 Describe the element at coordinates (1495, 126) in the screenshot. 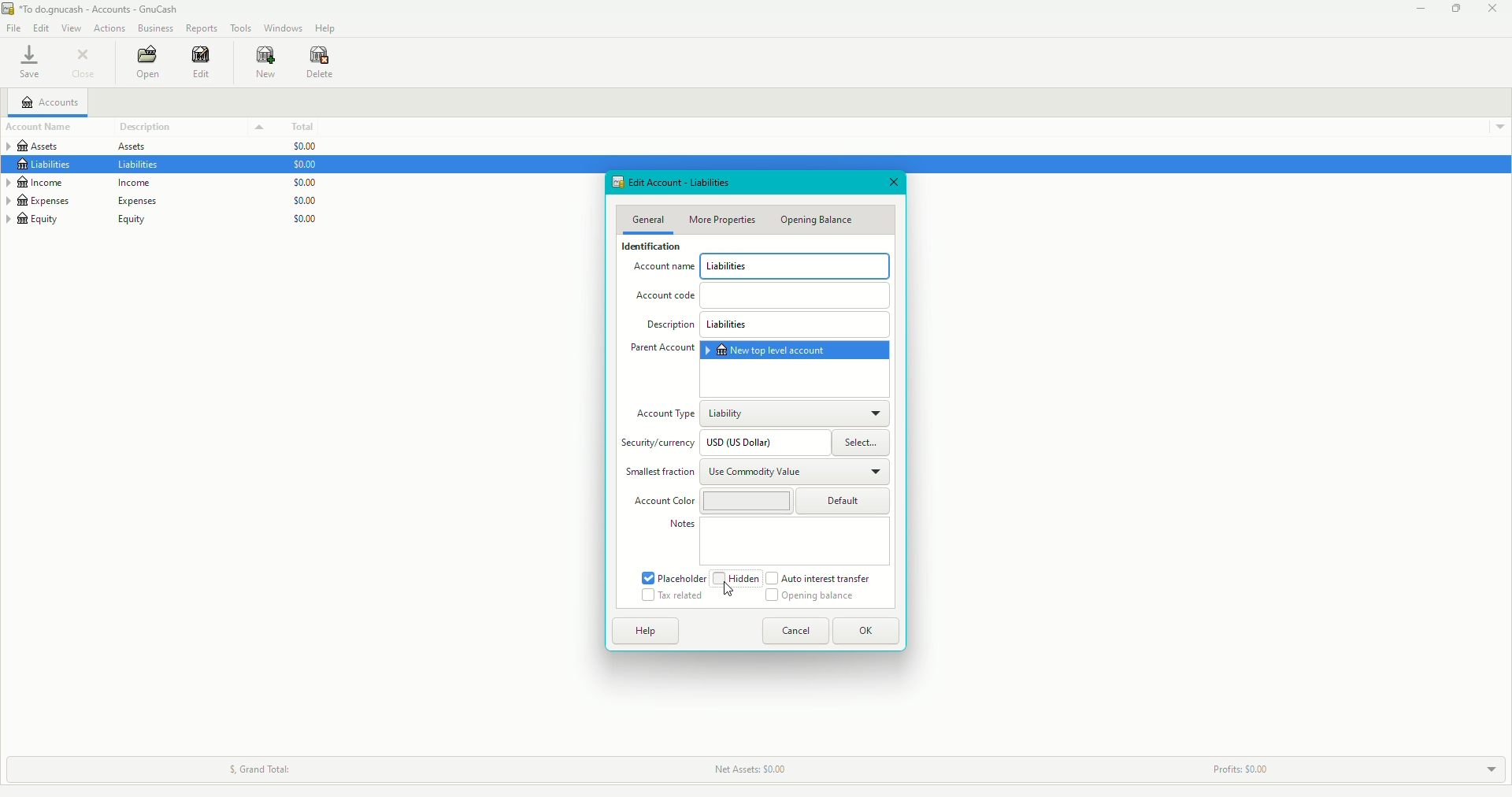

I see `Drop down` at that location.